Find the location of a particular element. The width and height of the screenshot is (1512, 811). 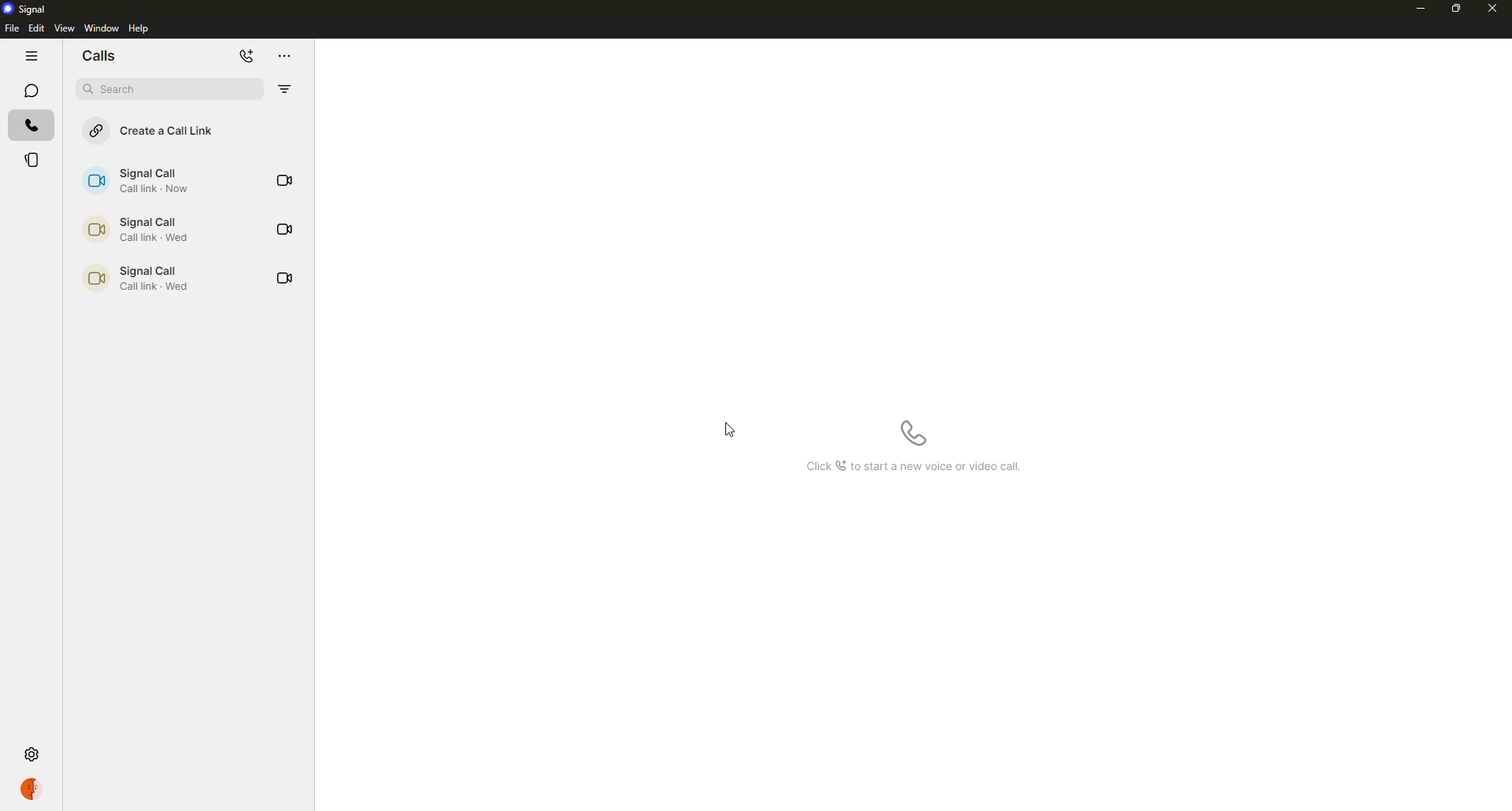

calls is located at coordinates (105, 56).